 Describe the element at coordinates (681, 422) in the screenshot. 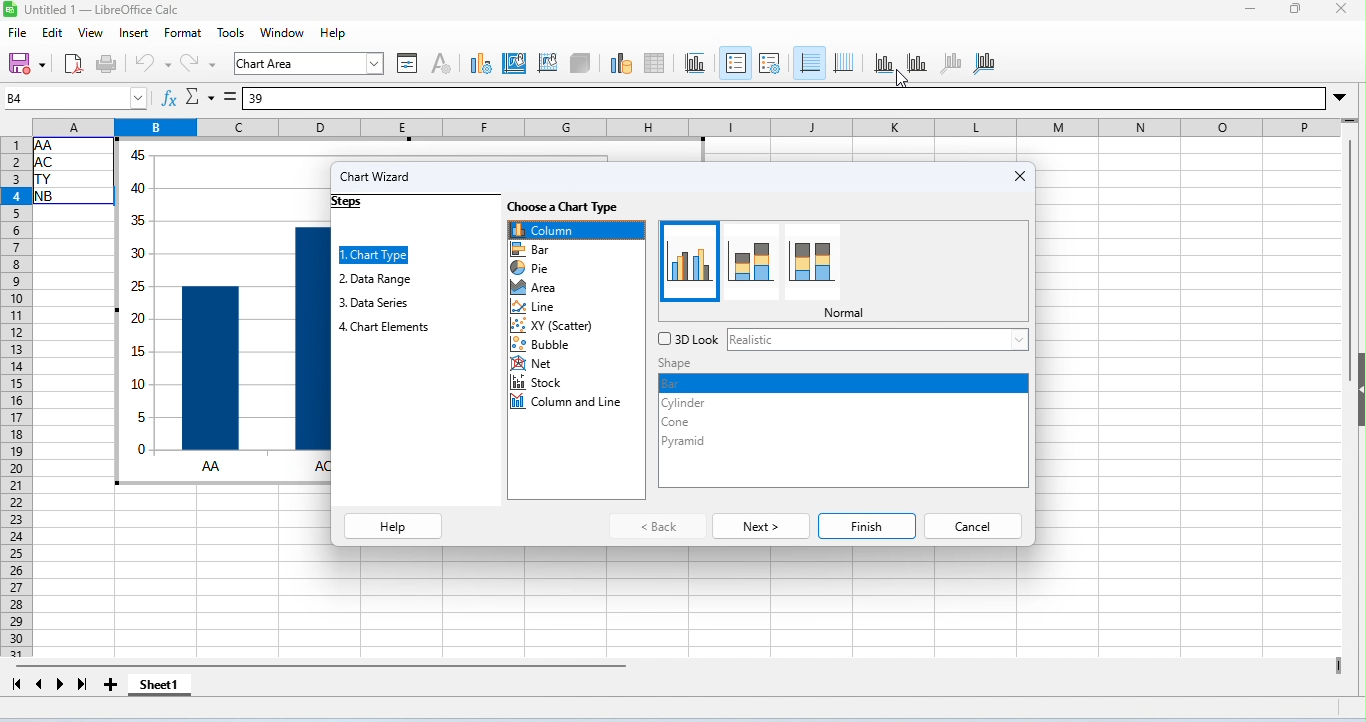

I see `cone` at that location.